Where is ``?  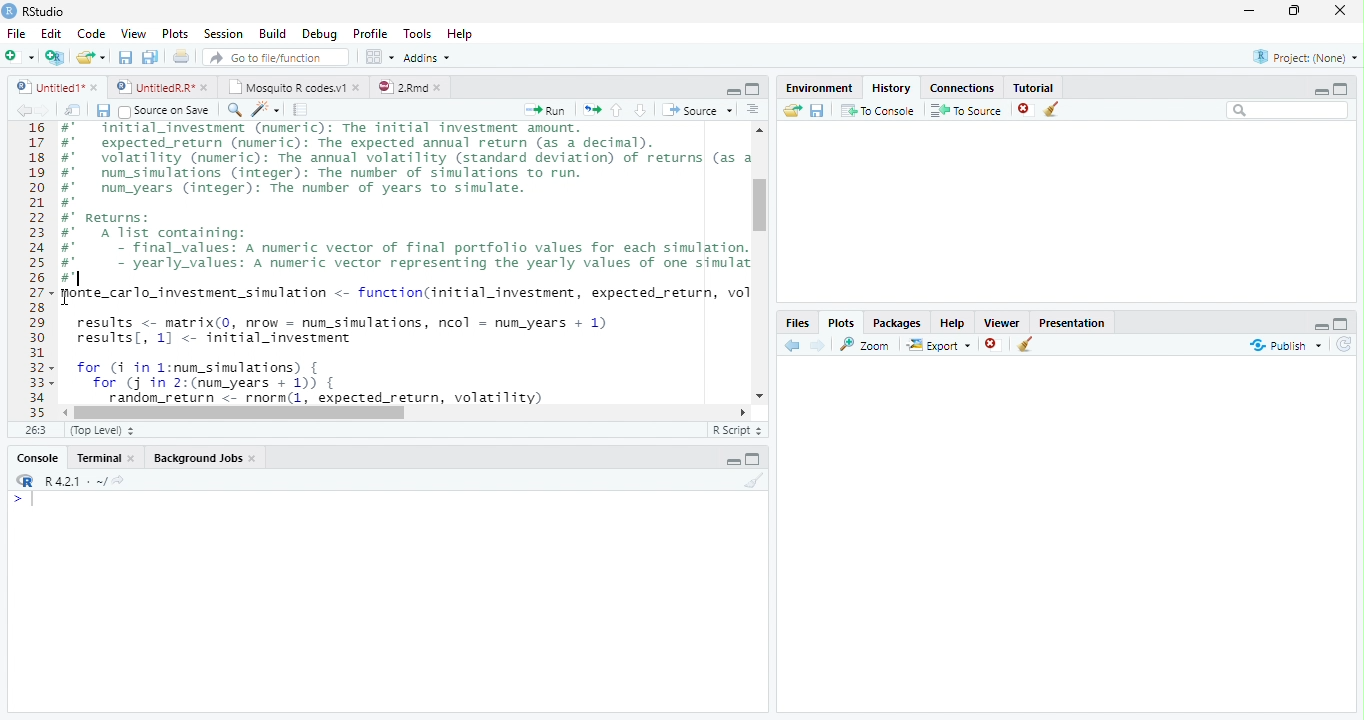  is located at coordinates (732, 89).